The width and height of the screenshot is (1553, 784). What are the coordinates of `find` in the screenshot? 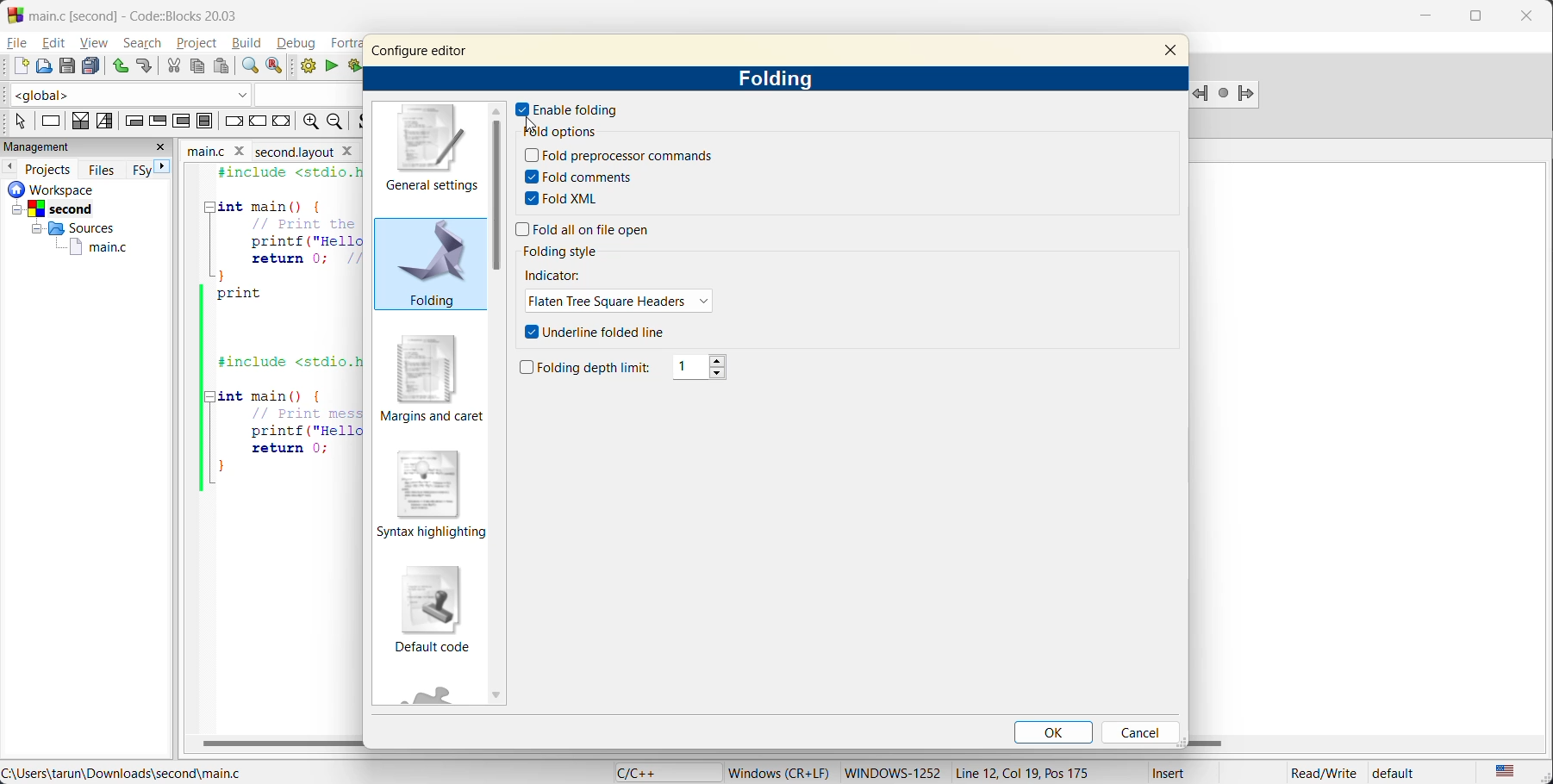 It's located at (250, 65).